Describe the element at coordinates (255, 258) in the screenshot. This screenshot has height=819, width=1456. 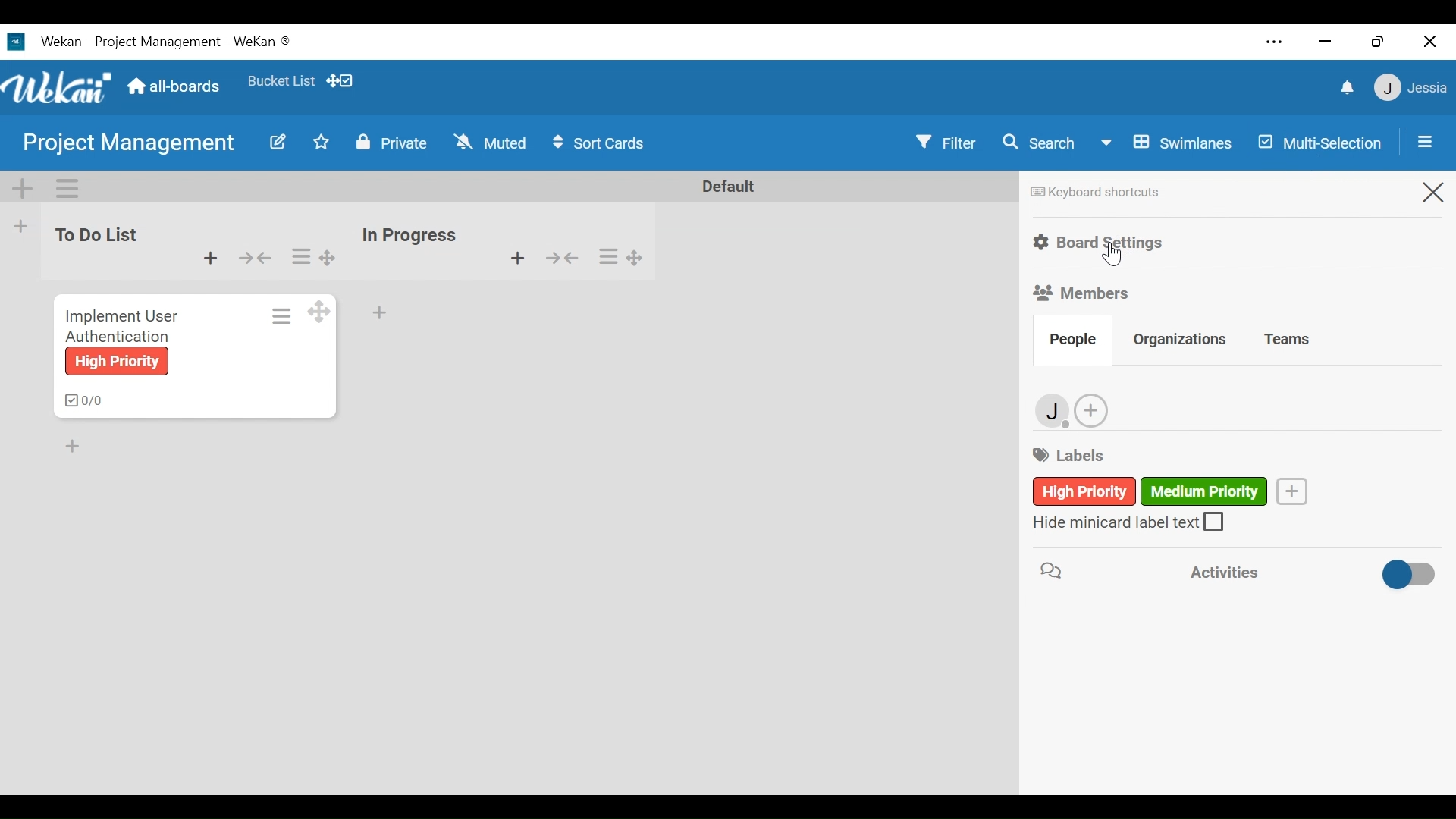
I see `Collapse` at that location.